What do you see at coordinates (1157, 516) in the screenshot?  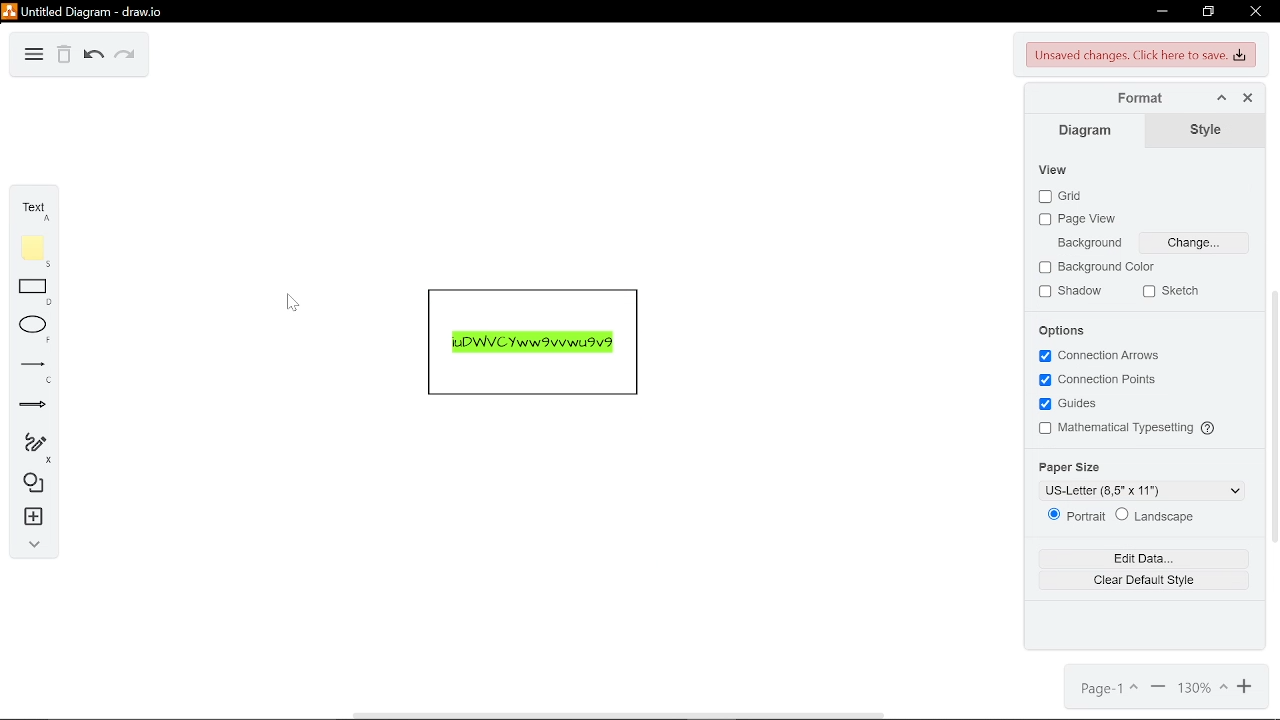 I see `landscape` at bounding box center [1157, 516].